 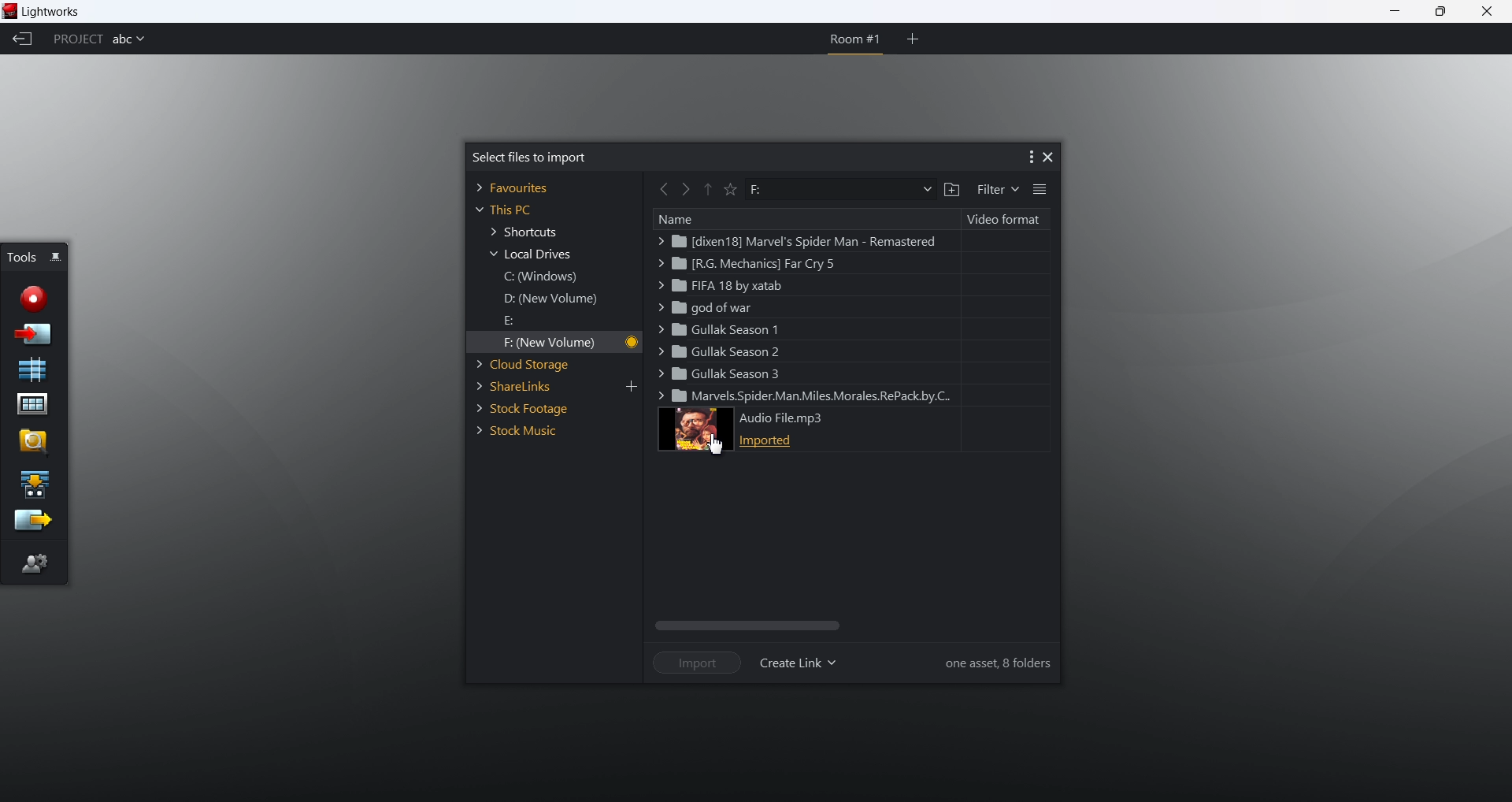 I want to click on tools, so click(x=21, y=256).